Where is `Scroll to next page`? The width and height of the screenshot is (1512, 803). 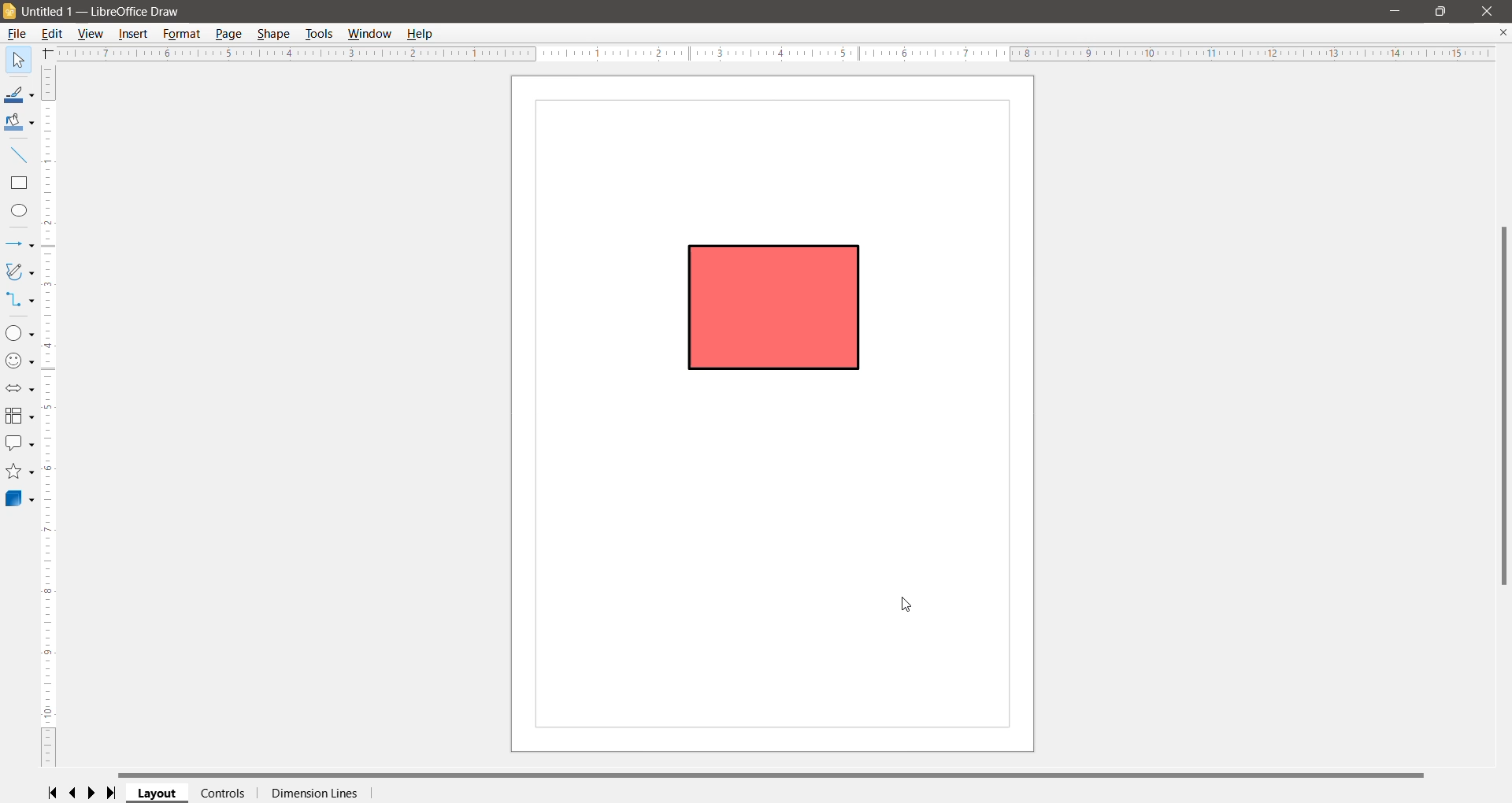
Scroll to next page is located at coordinates (93, 794).